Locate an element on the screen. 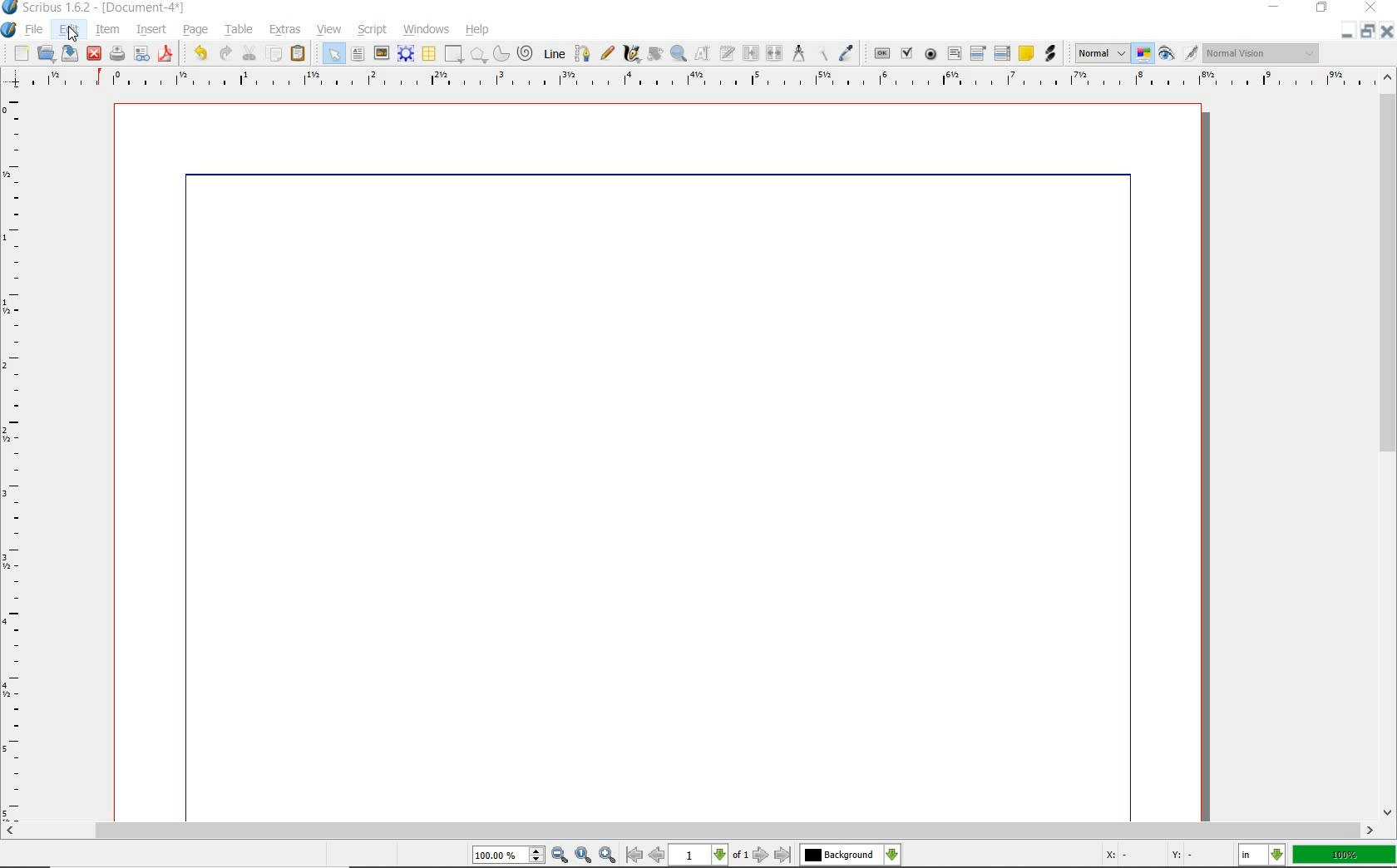  page is located at coordinates (196, 28).